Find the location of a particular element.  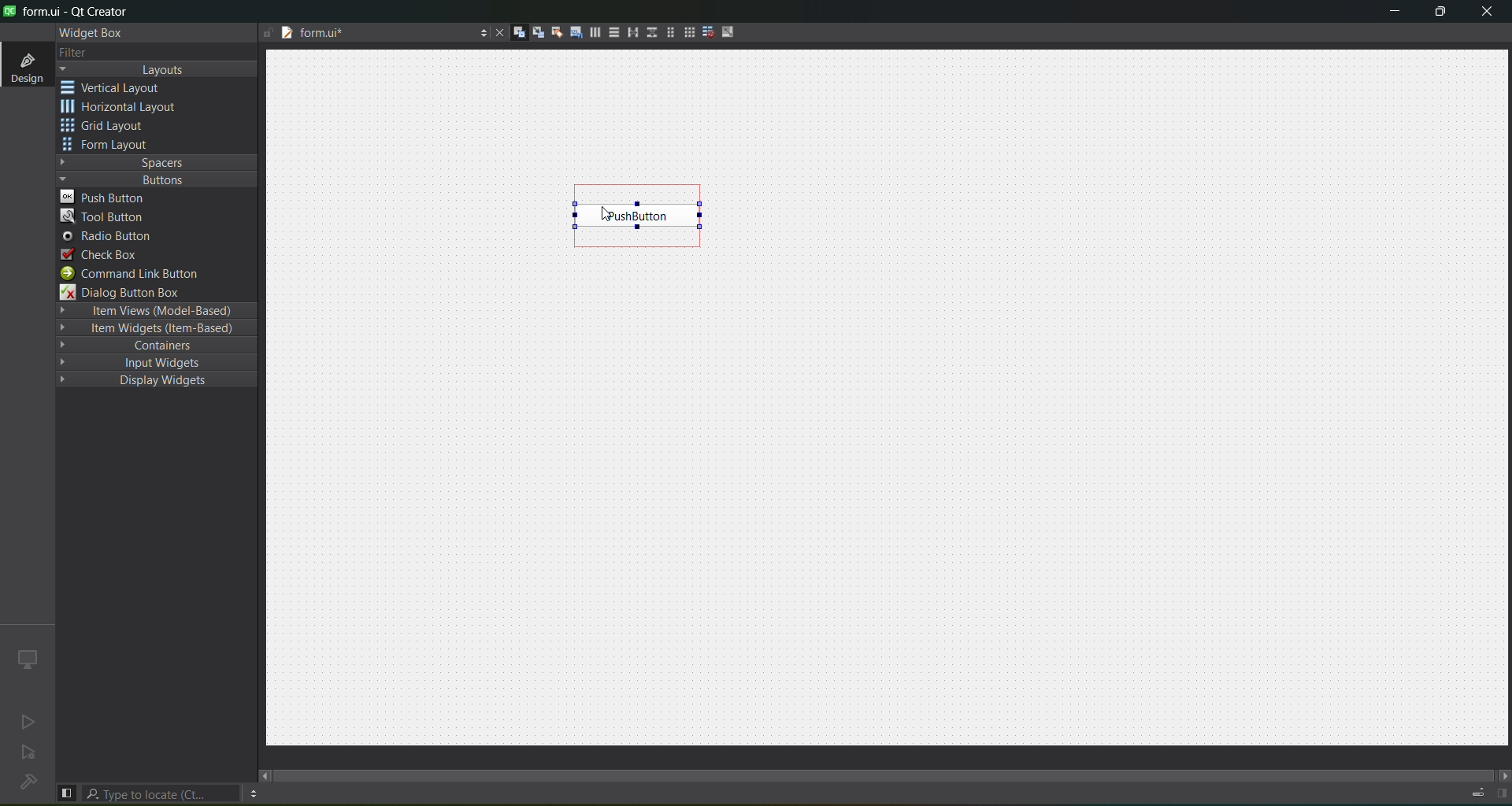

search is located at coordinates (162, 793).